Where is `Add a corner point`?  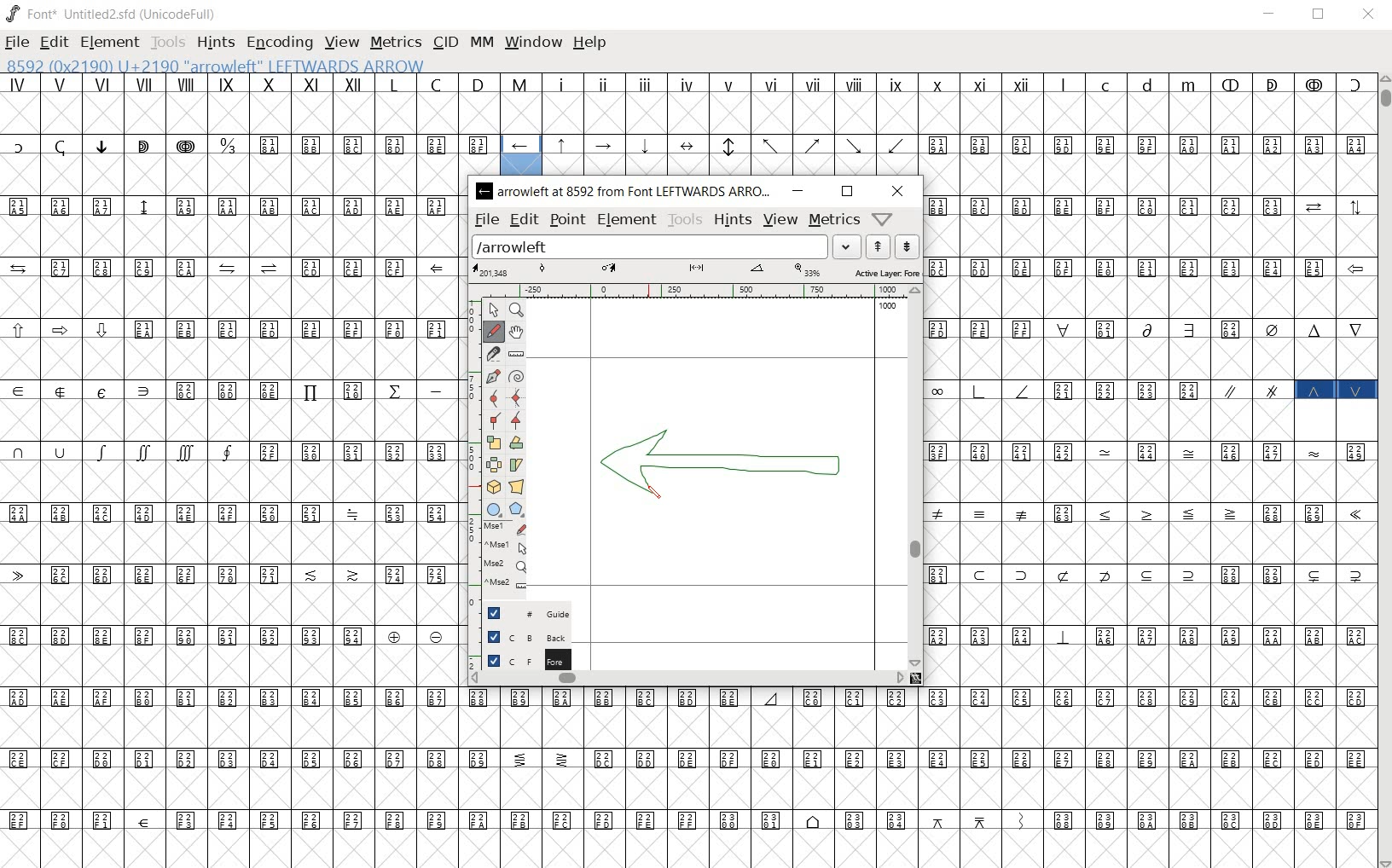
Add a corner point is located at coordinates (517, 420).